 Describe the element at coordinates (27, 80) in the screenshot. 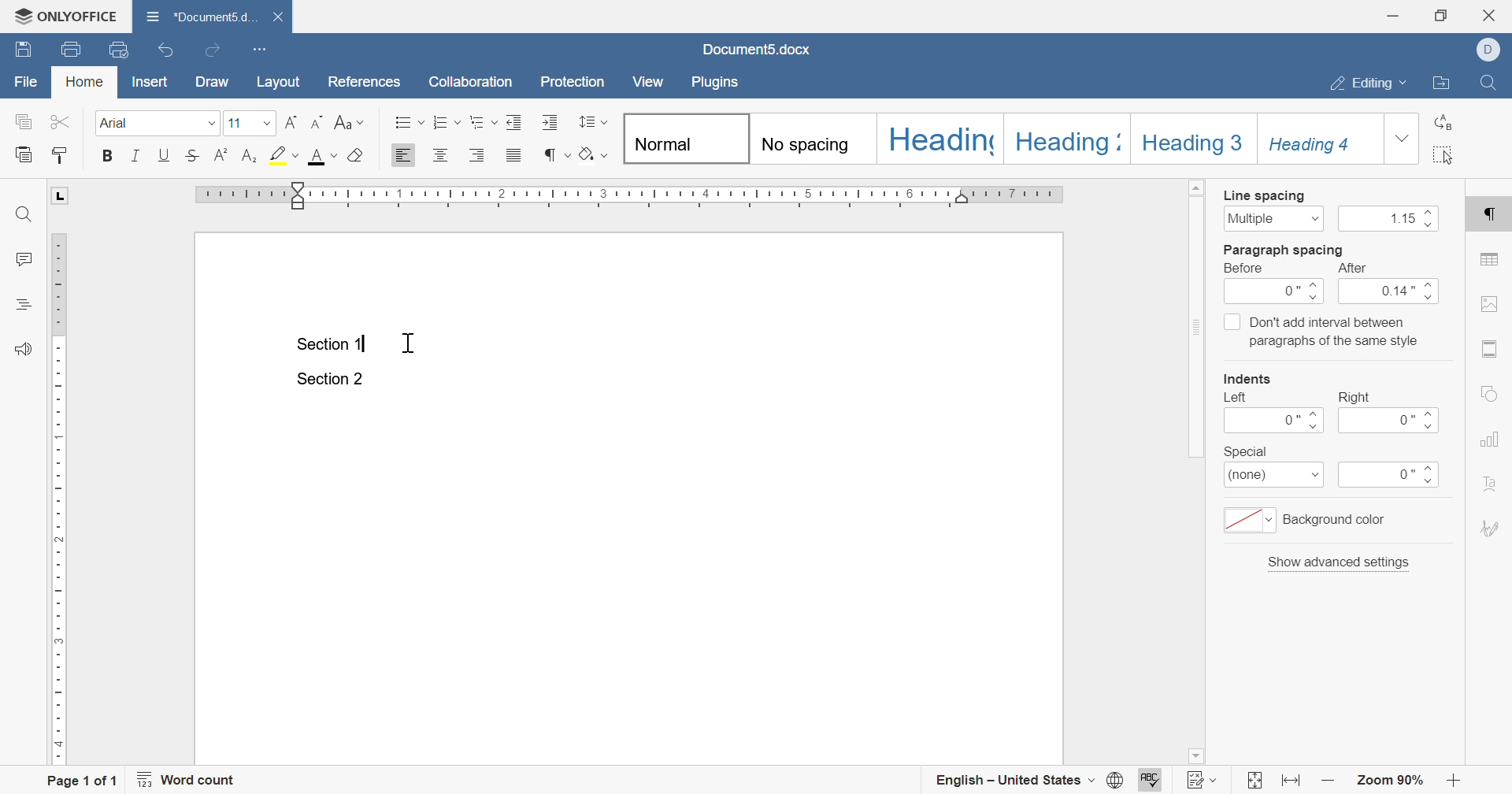

I see `file` at that location.